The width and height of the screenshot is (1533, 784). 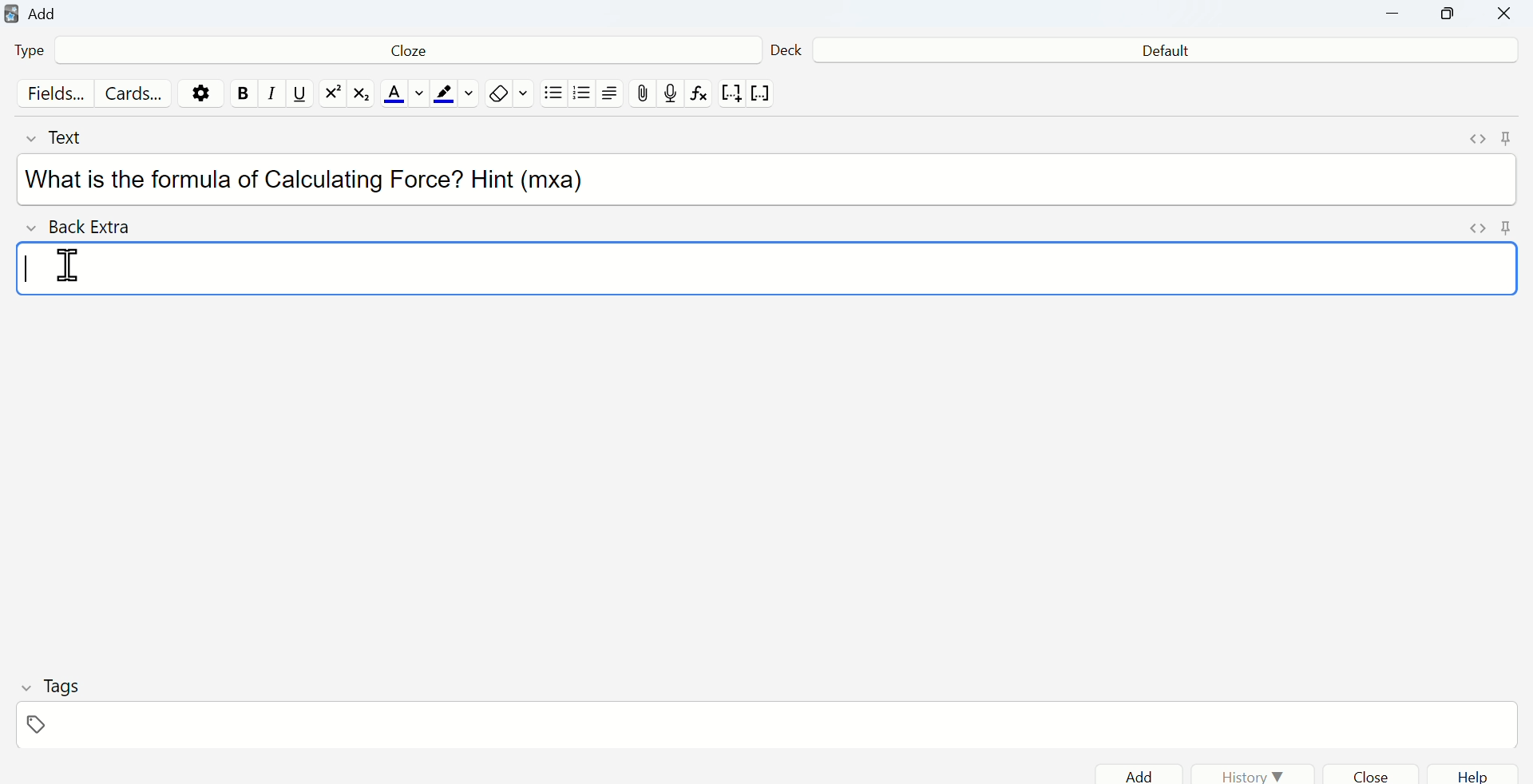 I want to click on Expand, so click(x=1476, y=141).